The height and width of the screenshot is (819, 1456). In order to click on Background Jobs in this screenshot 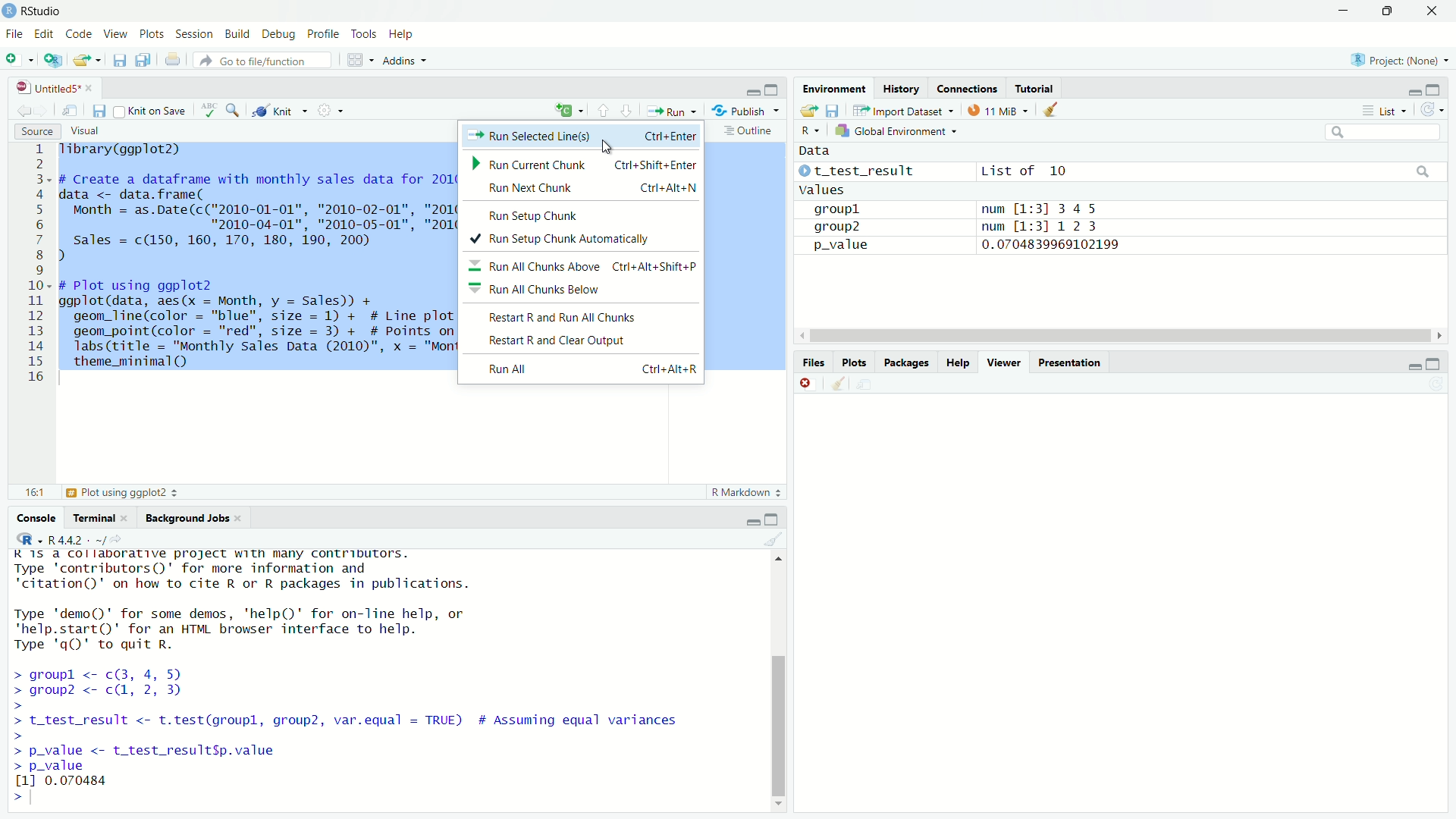, I will do `click(195, 518)`.